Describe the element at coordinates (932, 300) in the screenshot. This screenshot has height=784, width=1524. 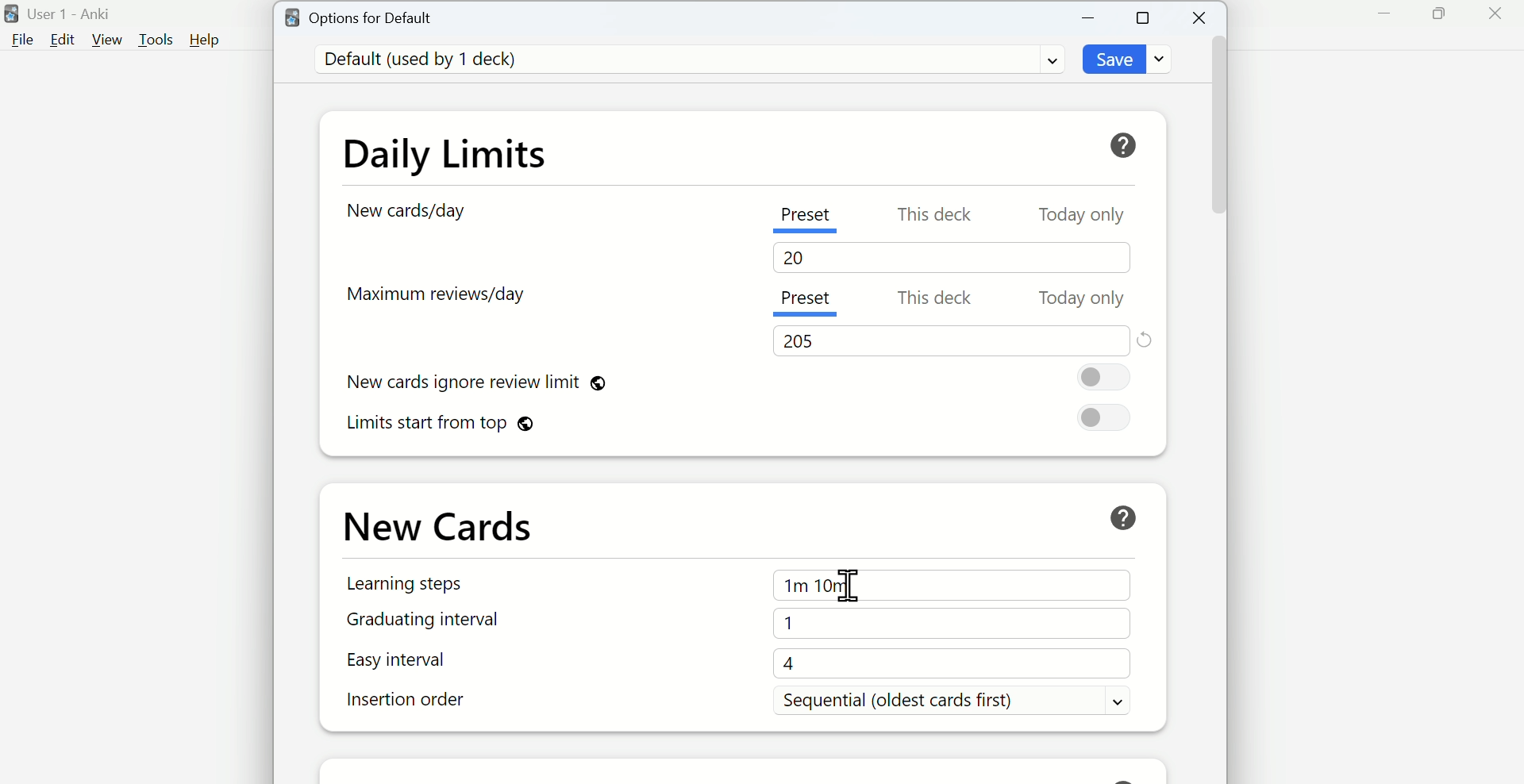
I see `This deck` at that location.